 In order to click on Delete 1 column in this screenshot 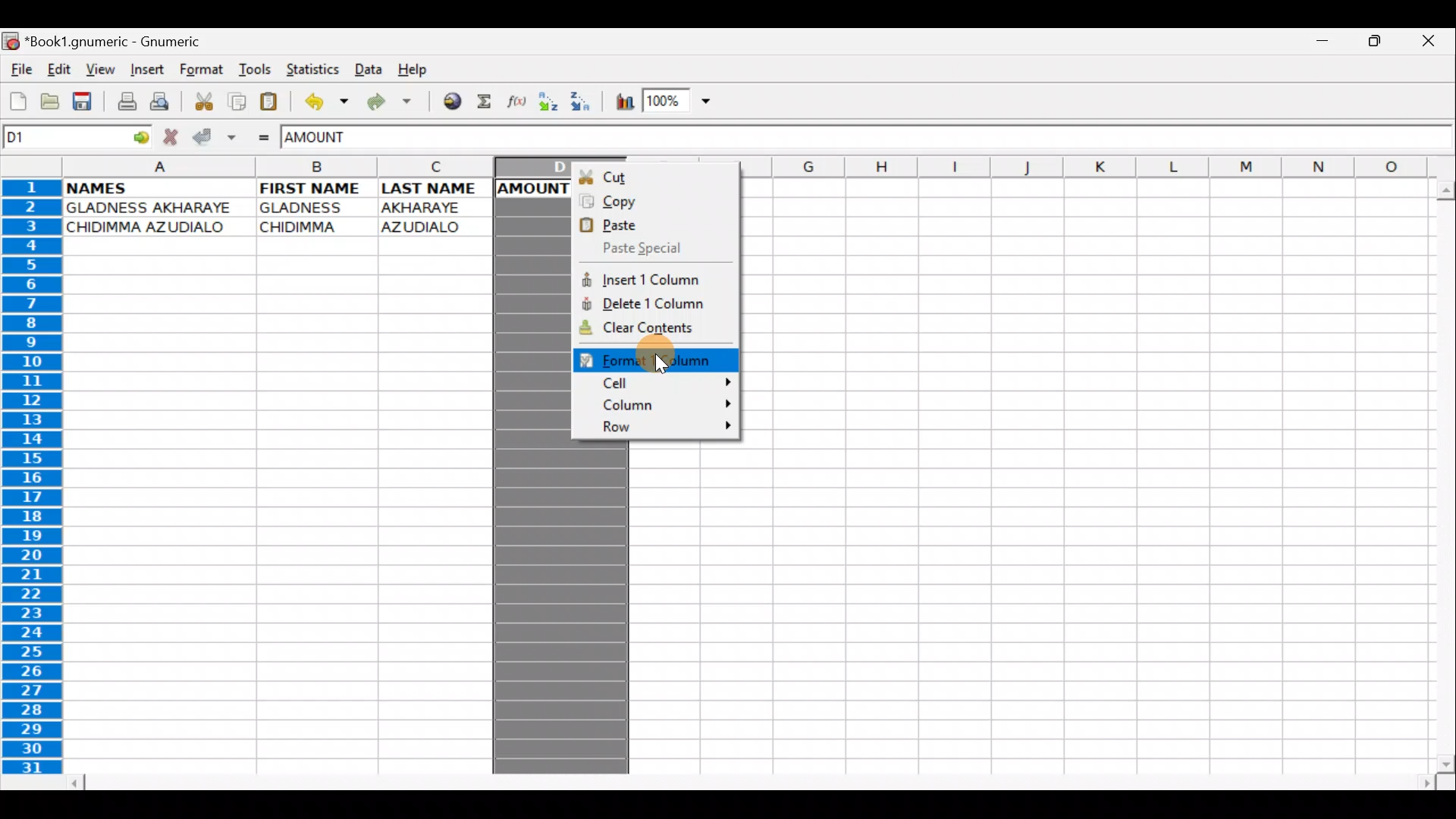, I will do `click(660, 301)`.